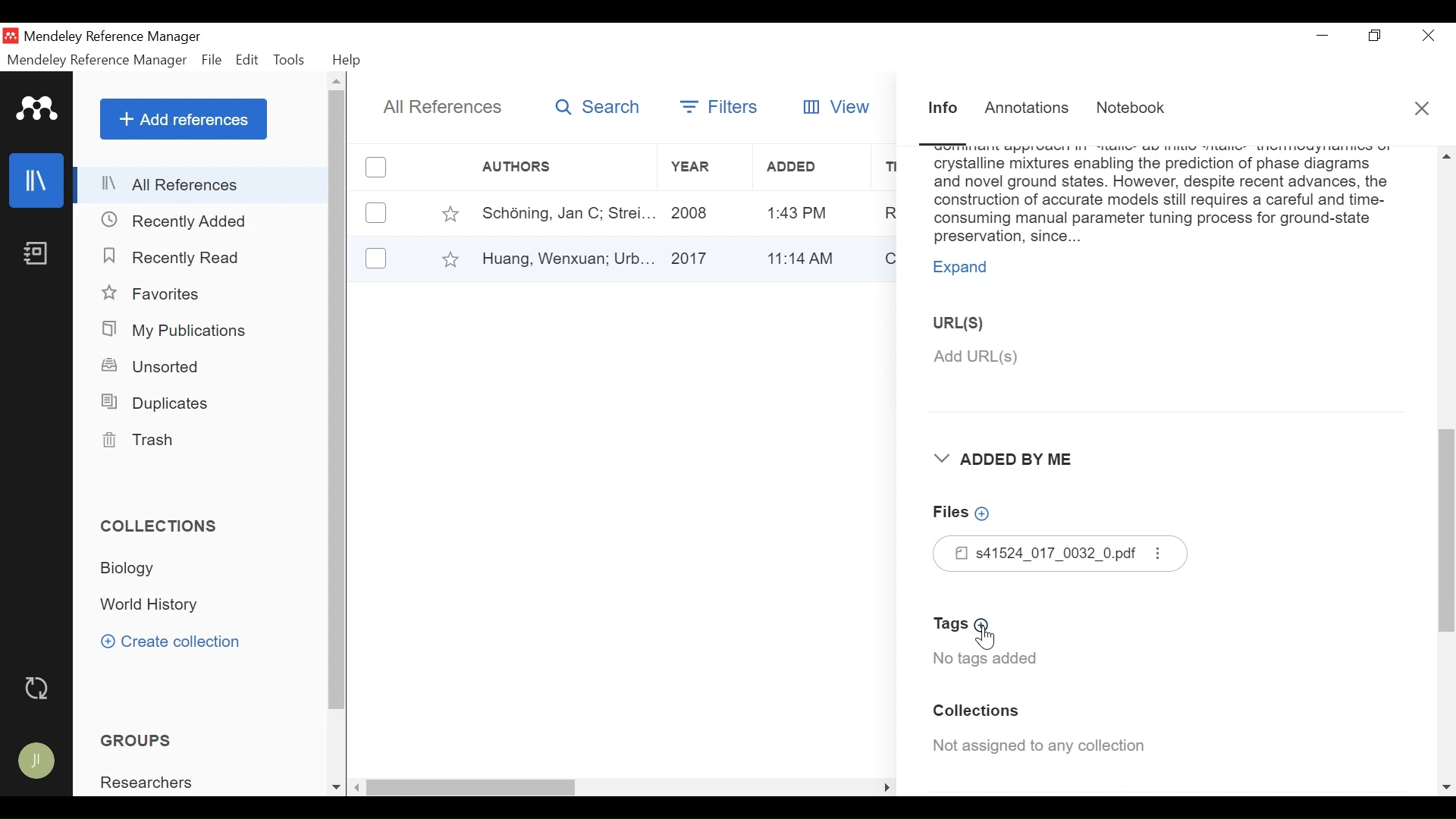 This screenshot has width=1456, height=819. Describe the element at coordinates (979, 711) in the screenshot. I see `Collection` at that location.